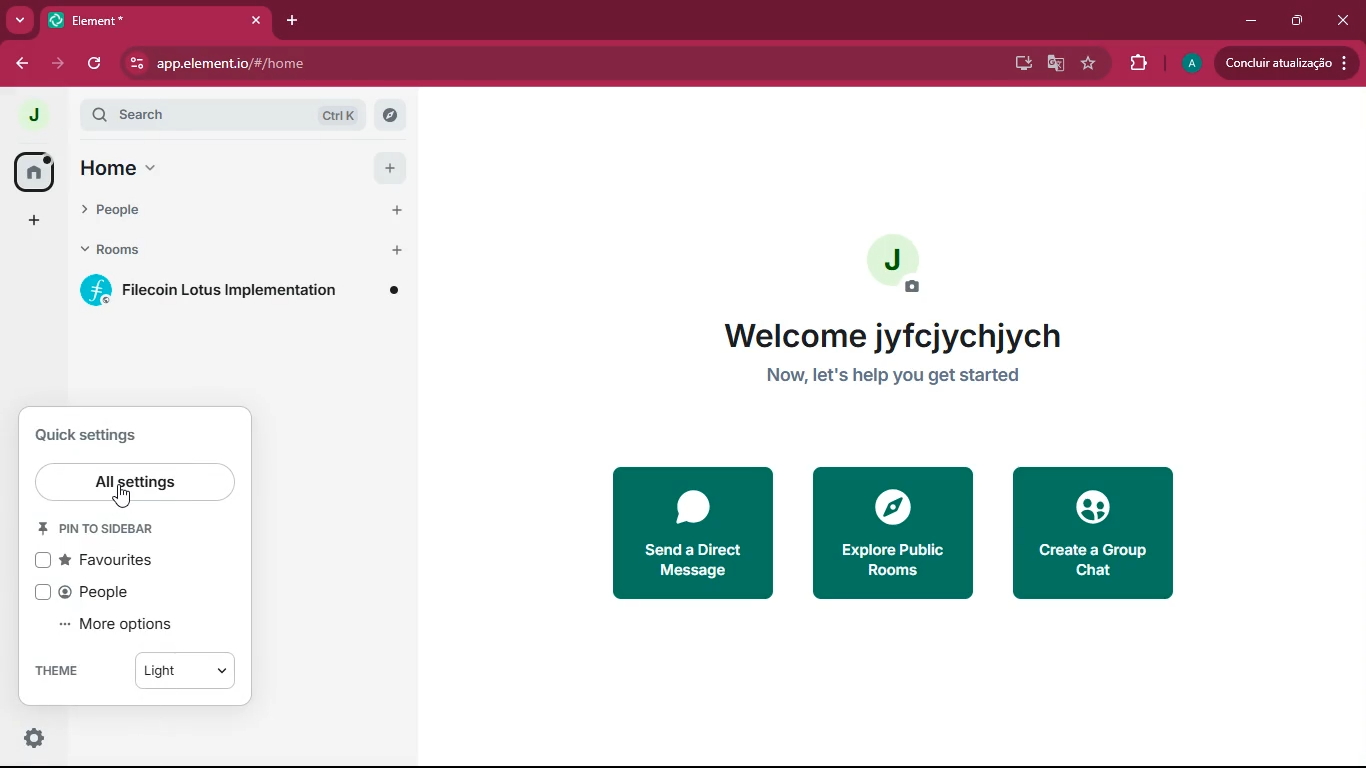 The height and width of the screenshot is (768, 1366). I want to click on people, so click(105, 592).